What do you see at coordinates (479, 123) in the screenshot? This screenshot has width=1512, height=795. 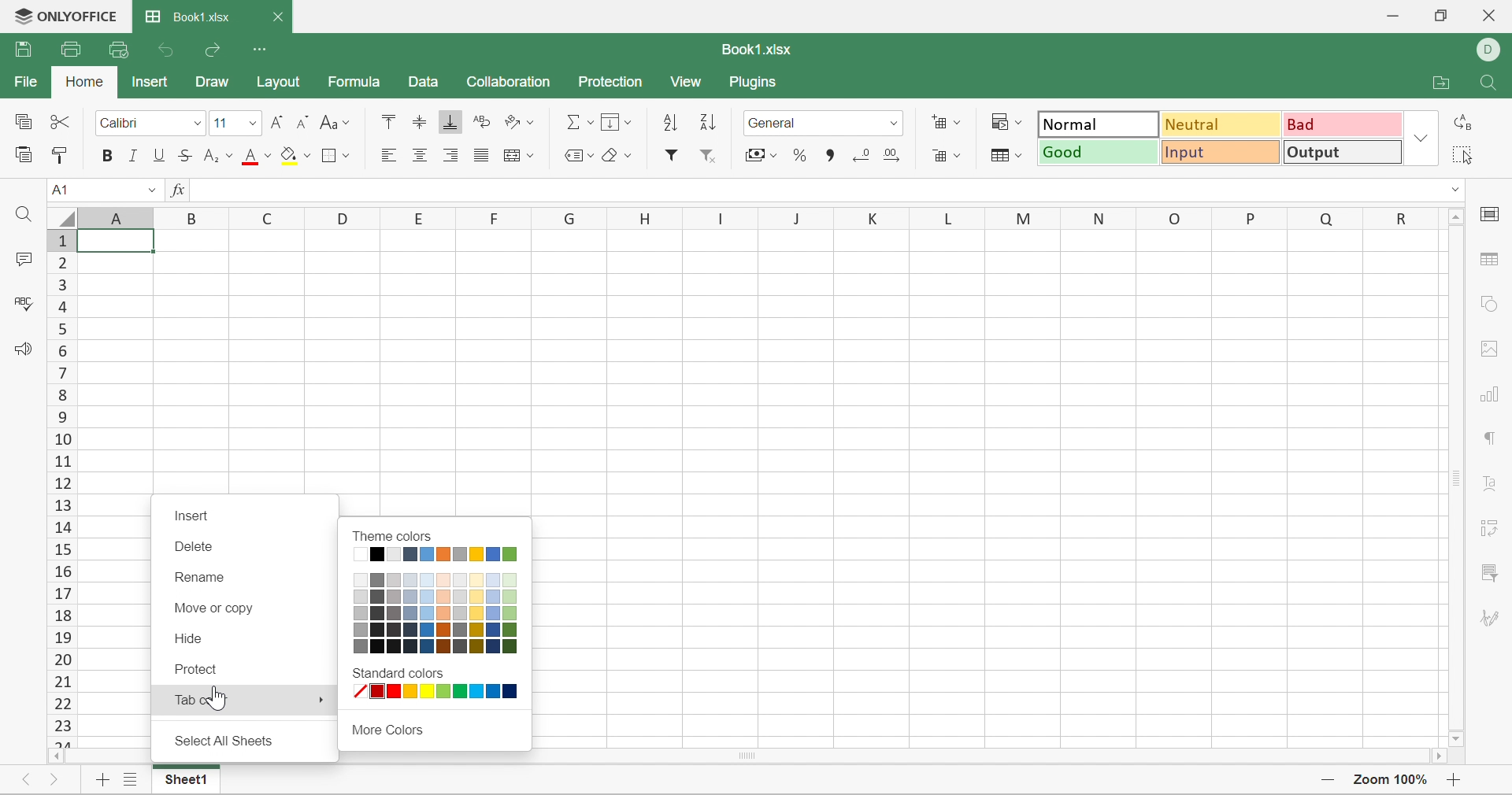 I see `Wrap Text` at bounding box center [479, 123].